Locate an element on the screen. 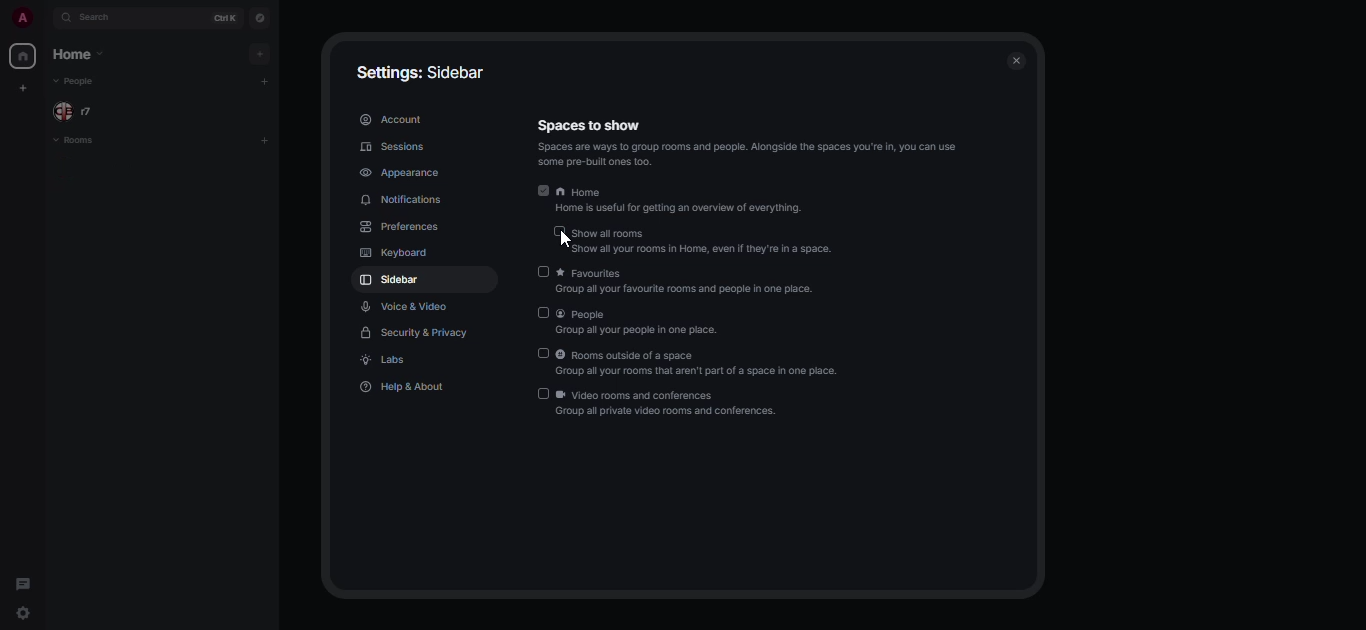 Image resolution: width=1366 pixels, height=630 pixels. disabled is located at coordinates (544, 393).